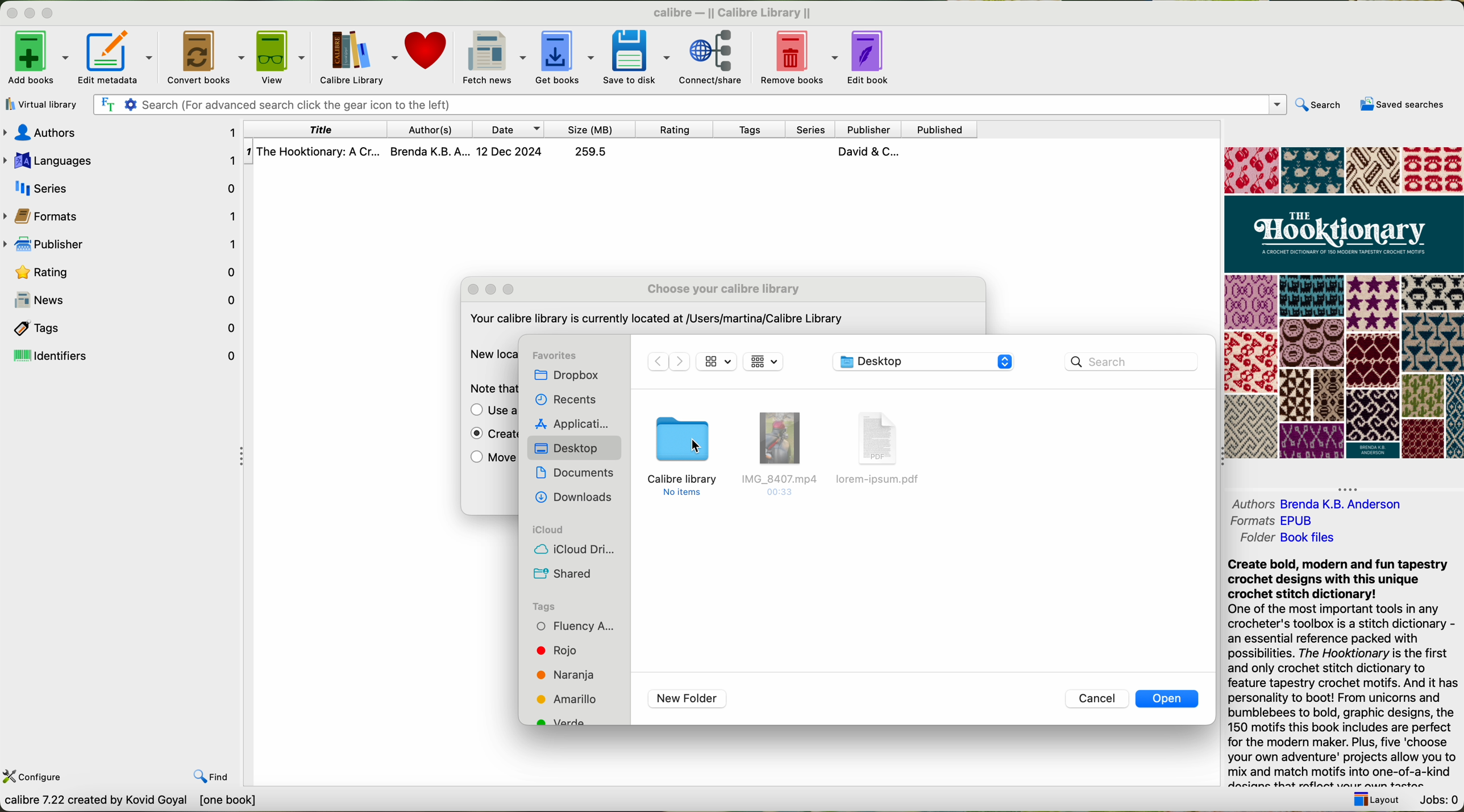  What do you see at coordinates (490, 386) in the screenshot?
I see `note` at bounding box center [490, 386].